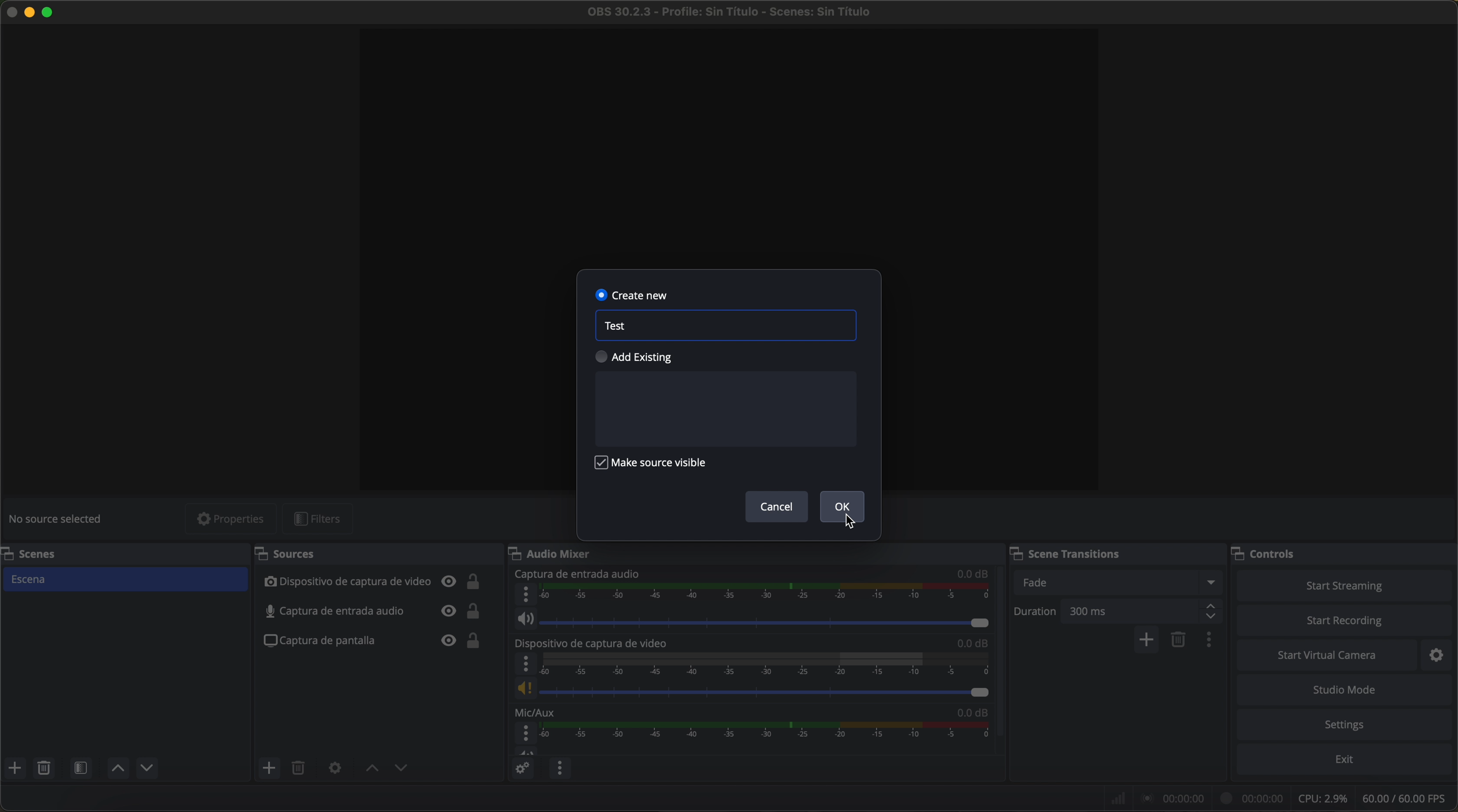 This screenshot has height=812, width=1458. Describe the element at coordinates (301, 768) in the screenshot. I see `remove selected source` at that location.